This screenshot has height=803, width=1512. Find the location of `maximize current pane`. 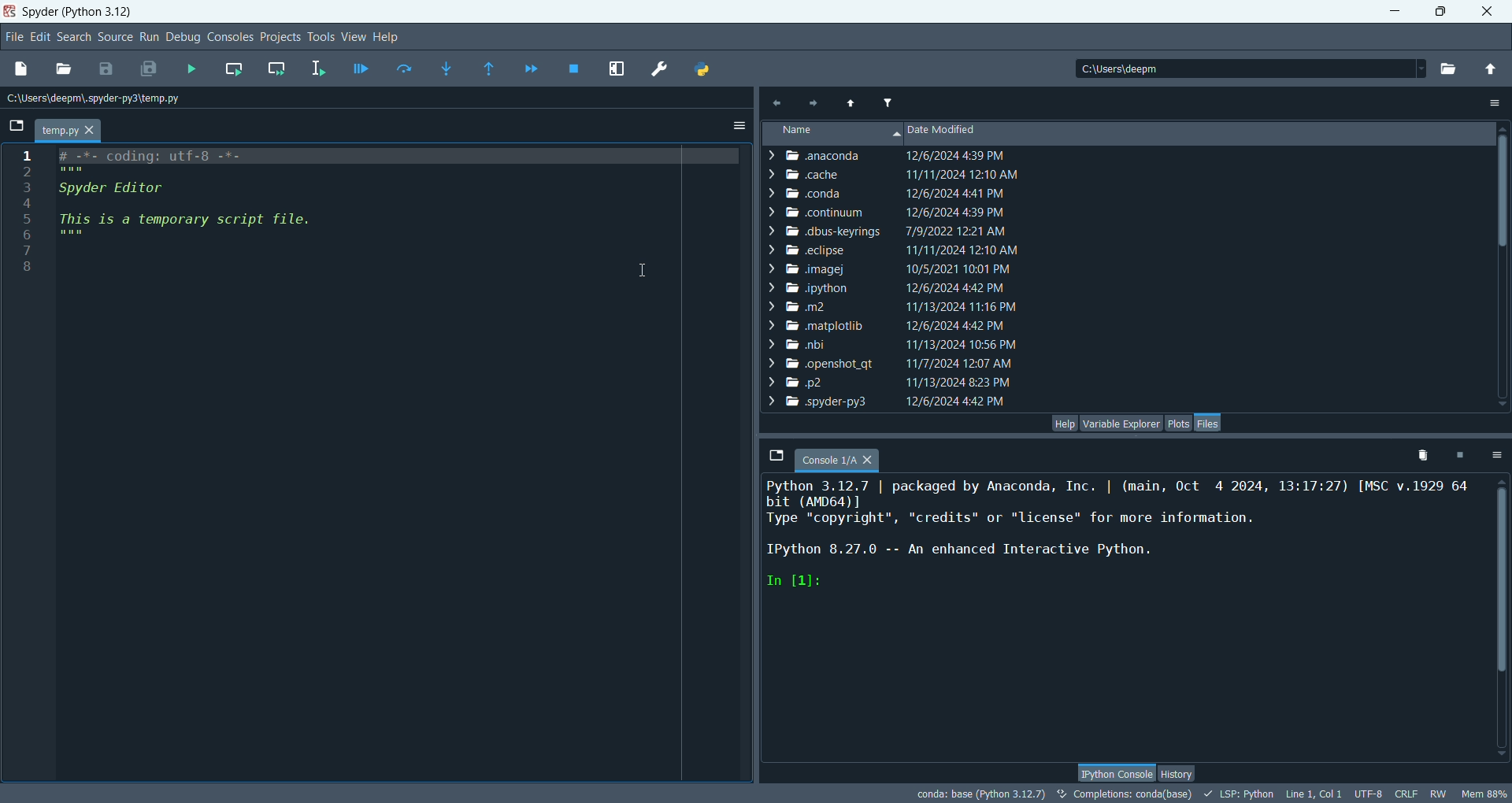

maximize current pane is located at coordinates (616, 70).